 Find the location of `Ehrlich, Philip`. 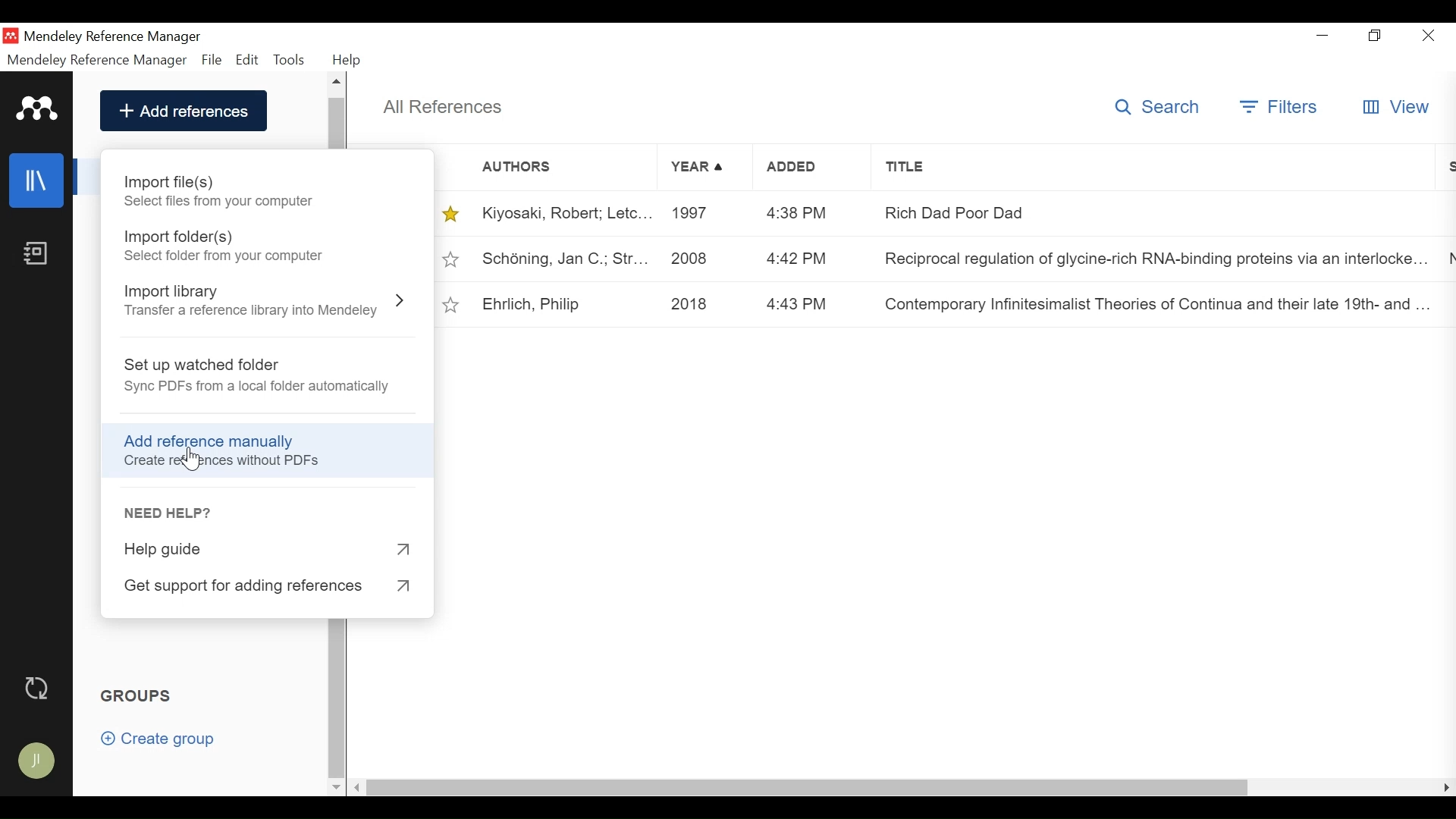

Ehrlich, Philip is located at coordinates (529, 302).